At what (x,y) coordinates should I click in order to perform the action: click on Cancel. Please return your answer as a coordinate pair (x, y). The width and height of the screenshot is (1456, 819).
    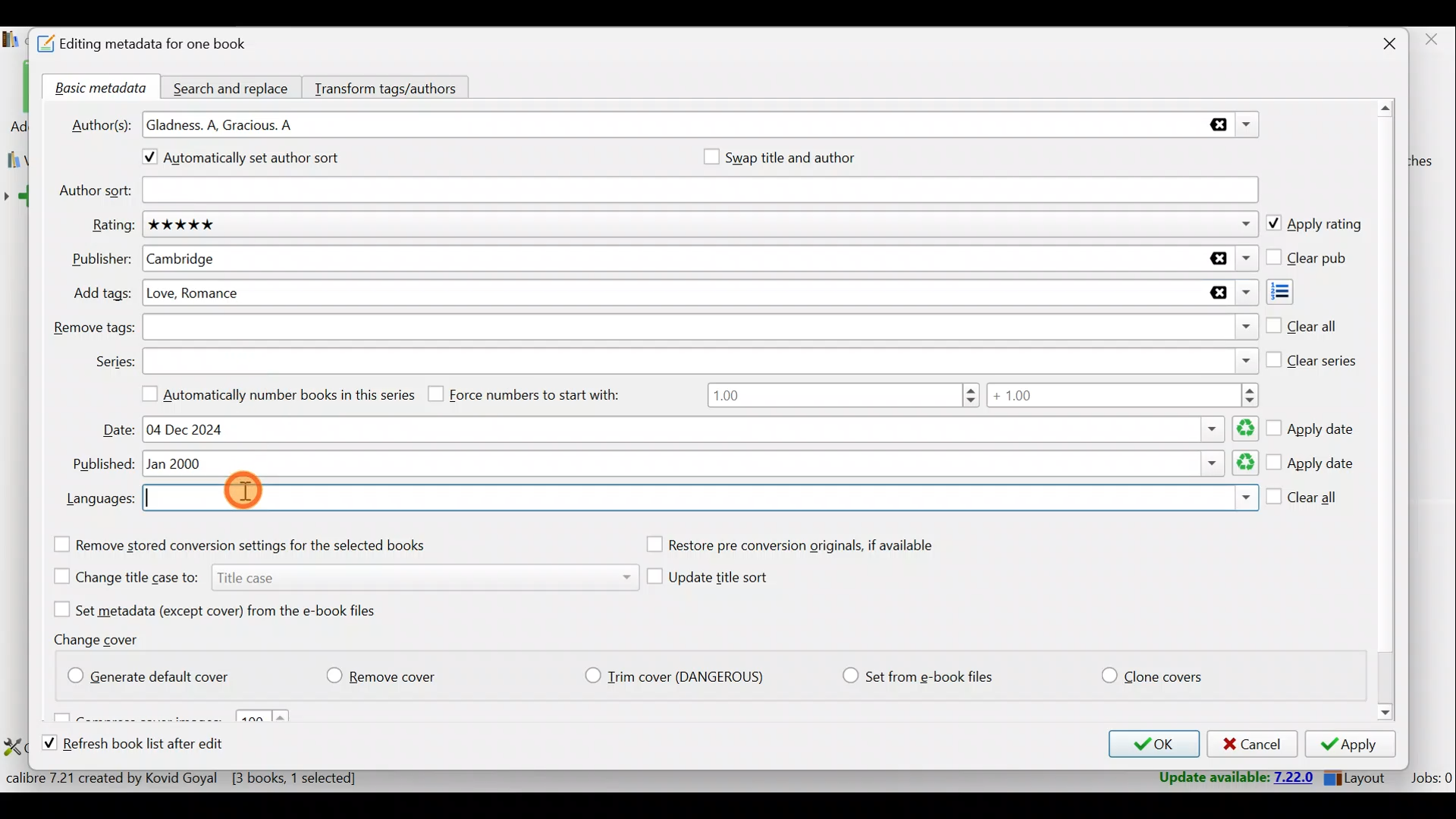
    Looking at the image, I should click on (1250, 745).